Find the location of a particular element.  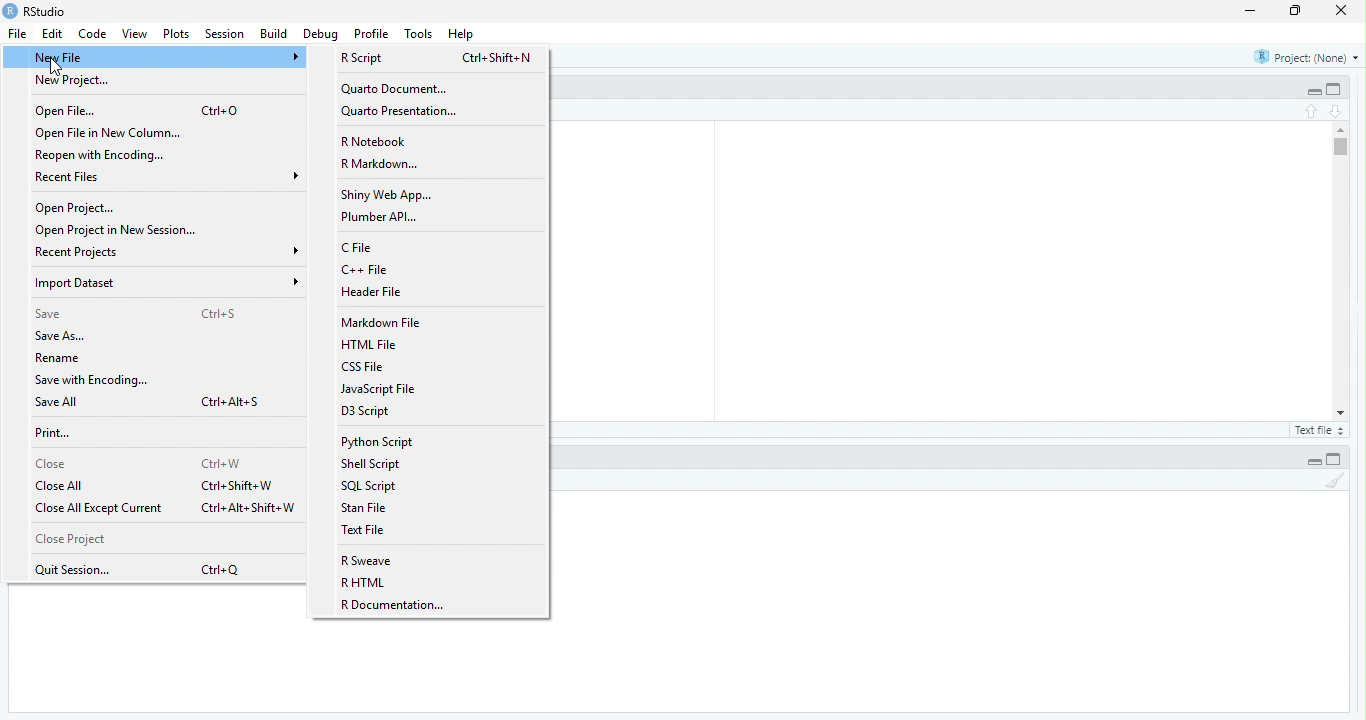

New Project... is located at coordinates (77, 81).